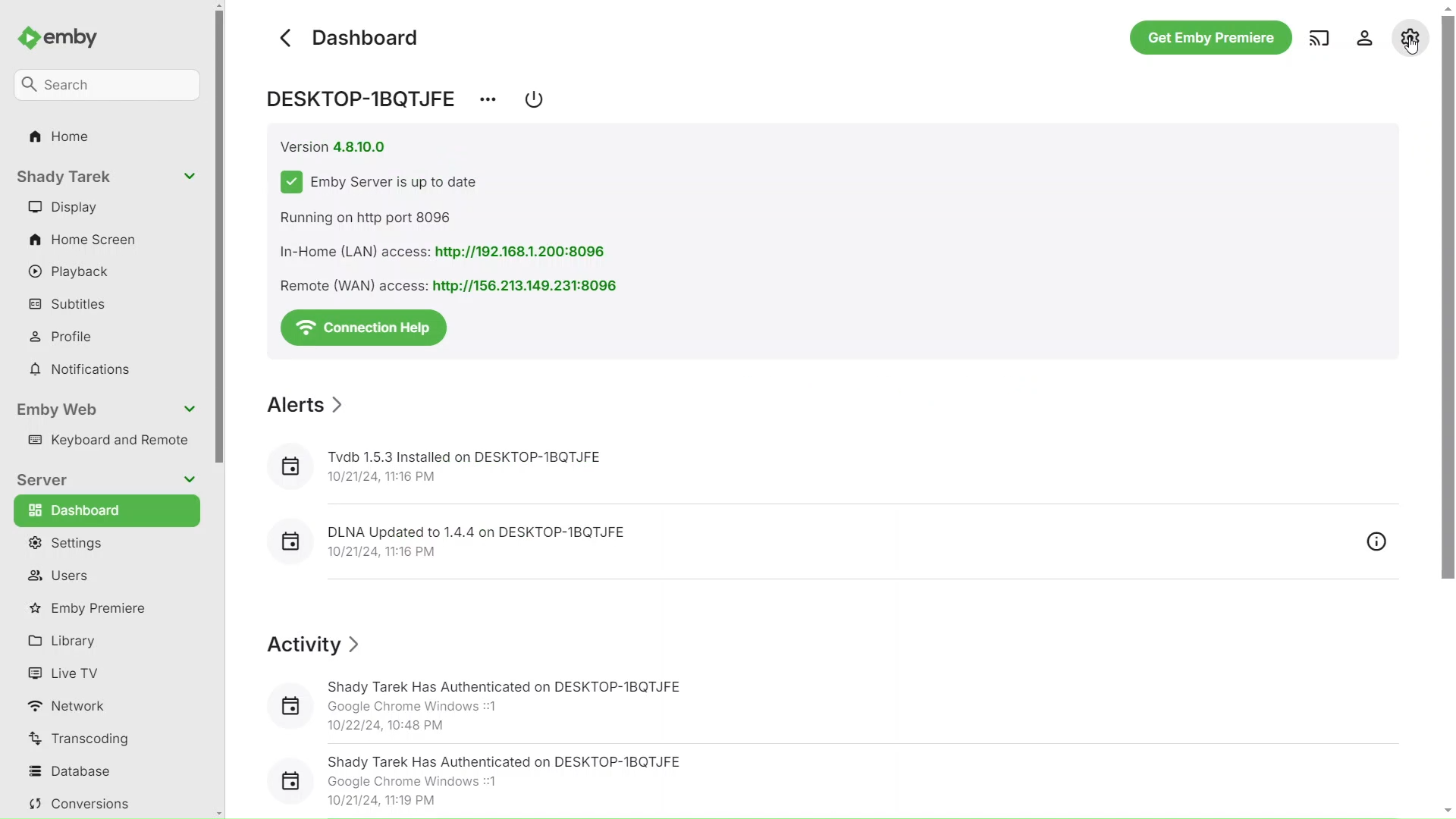  Describe the element at coordinates (1447, 315) in the screenshot. I see `scrollbar` at that location.